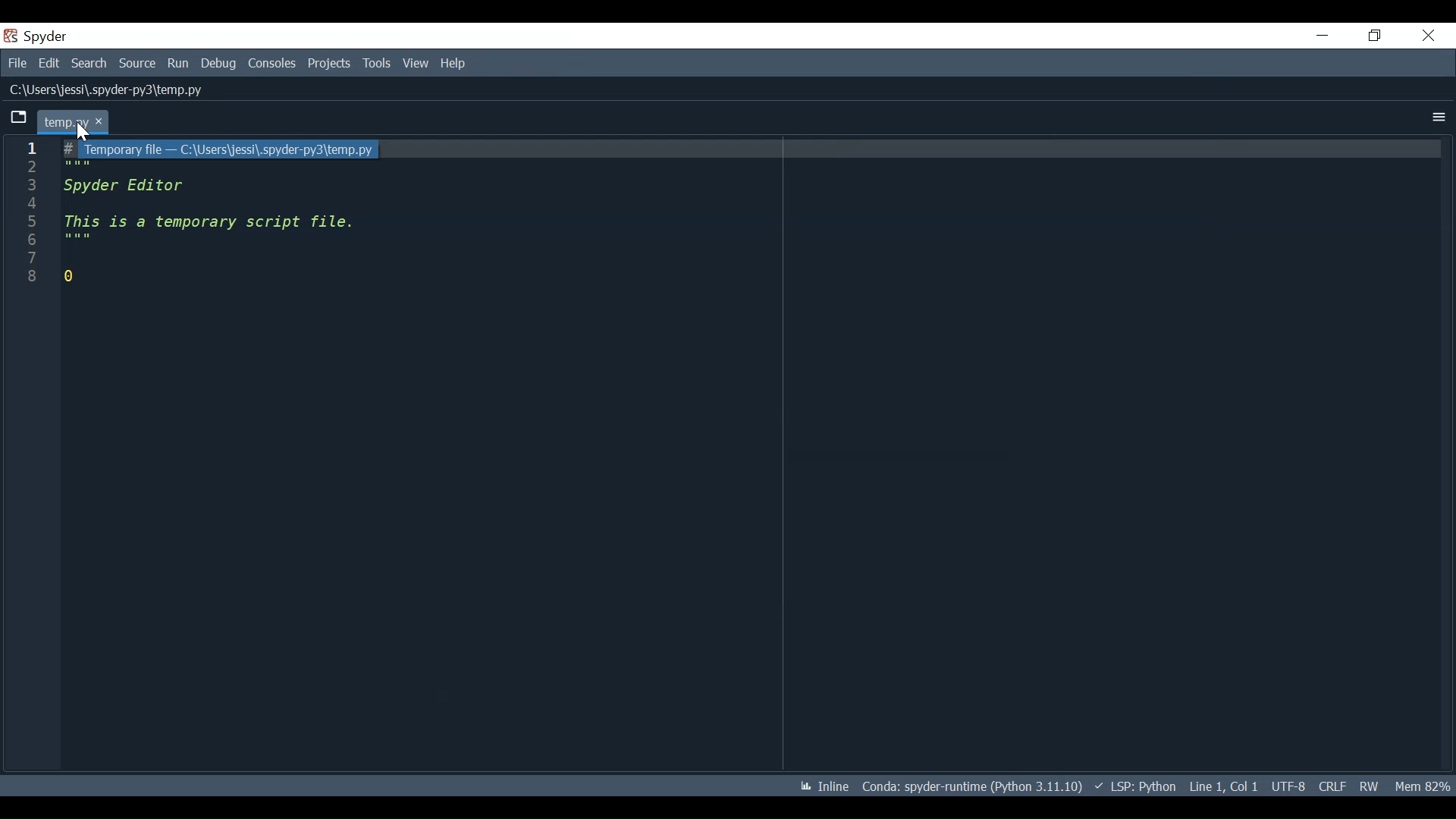  I want to click on Projects, so click(329, 63).